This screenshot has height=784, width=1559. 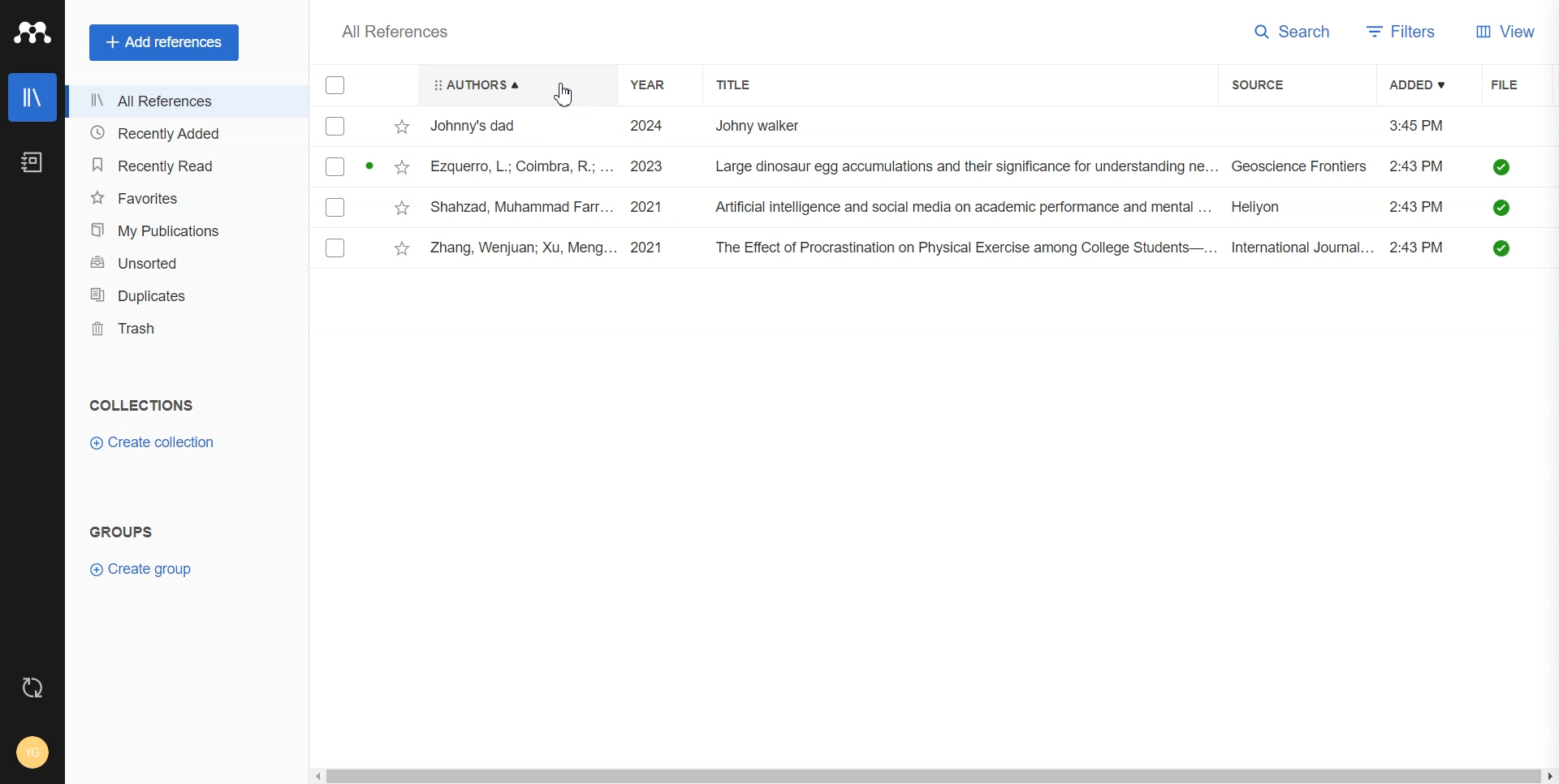 I want to click on Notebook, so click(x=32, y=161).